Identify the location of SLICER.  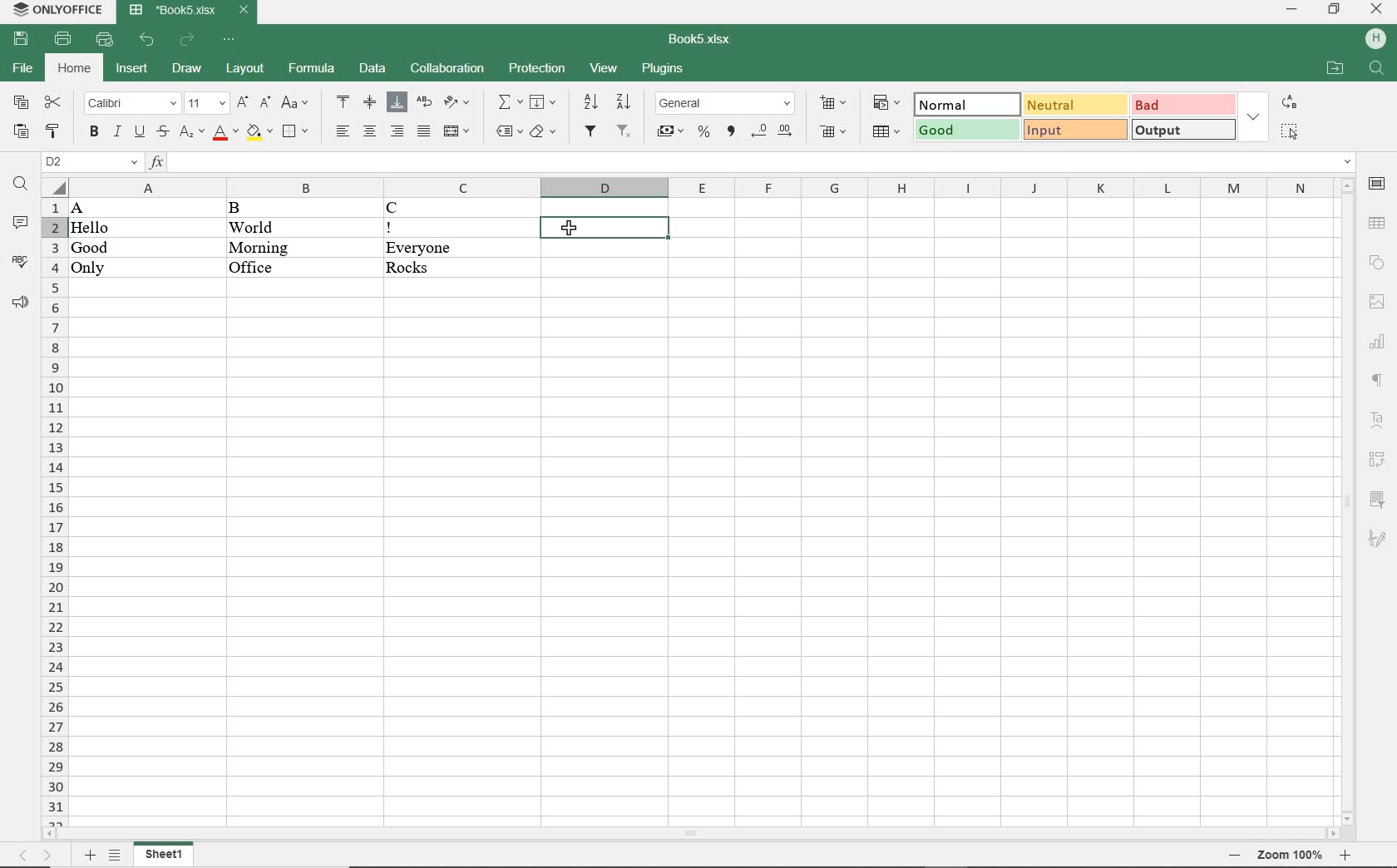
(1377, 499).